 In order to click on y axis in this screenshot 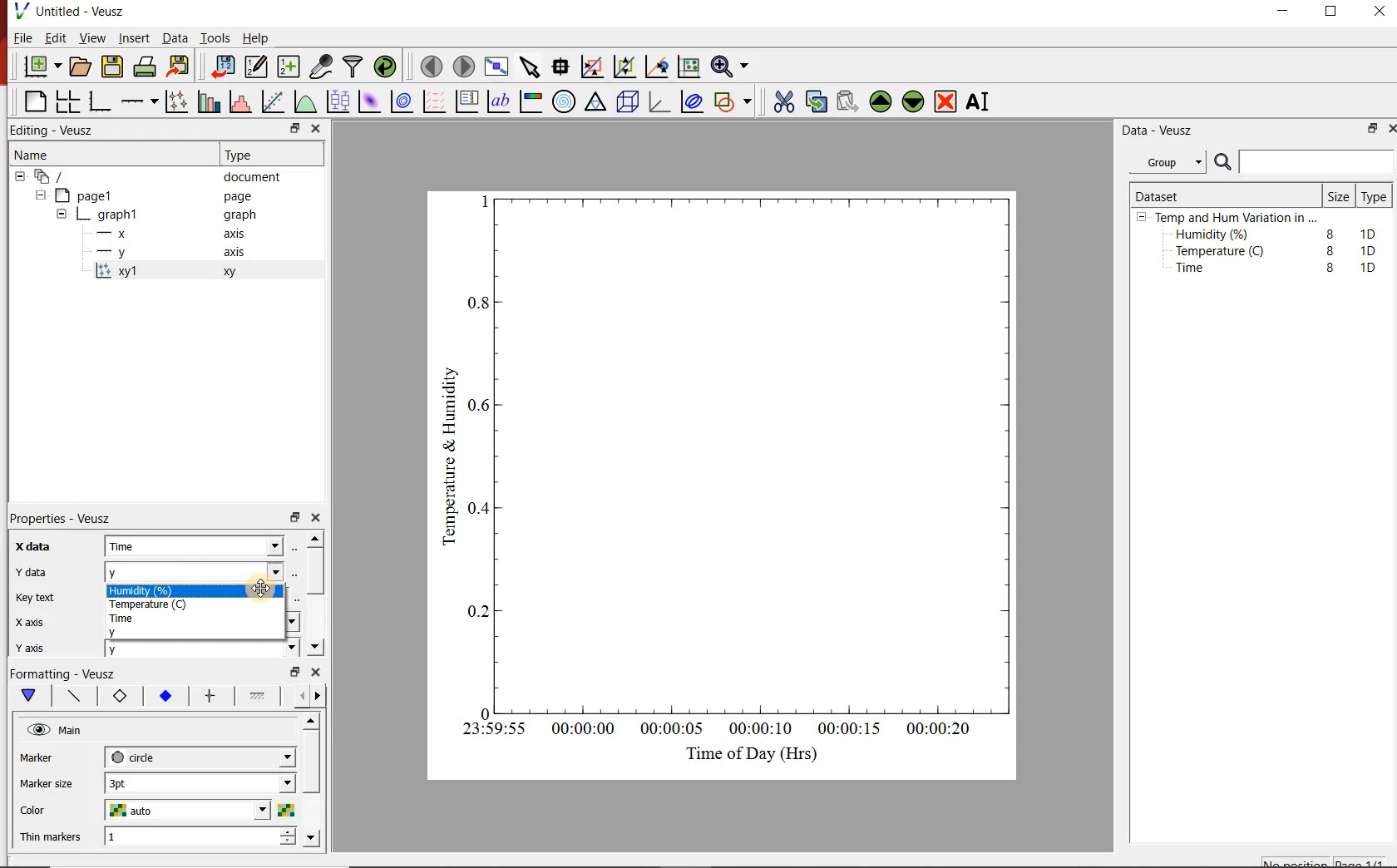, I will do `click(42, 645)`.